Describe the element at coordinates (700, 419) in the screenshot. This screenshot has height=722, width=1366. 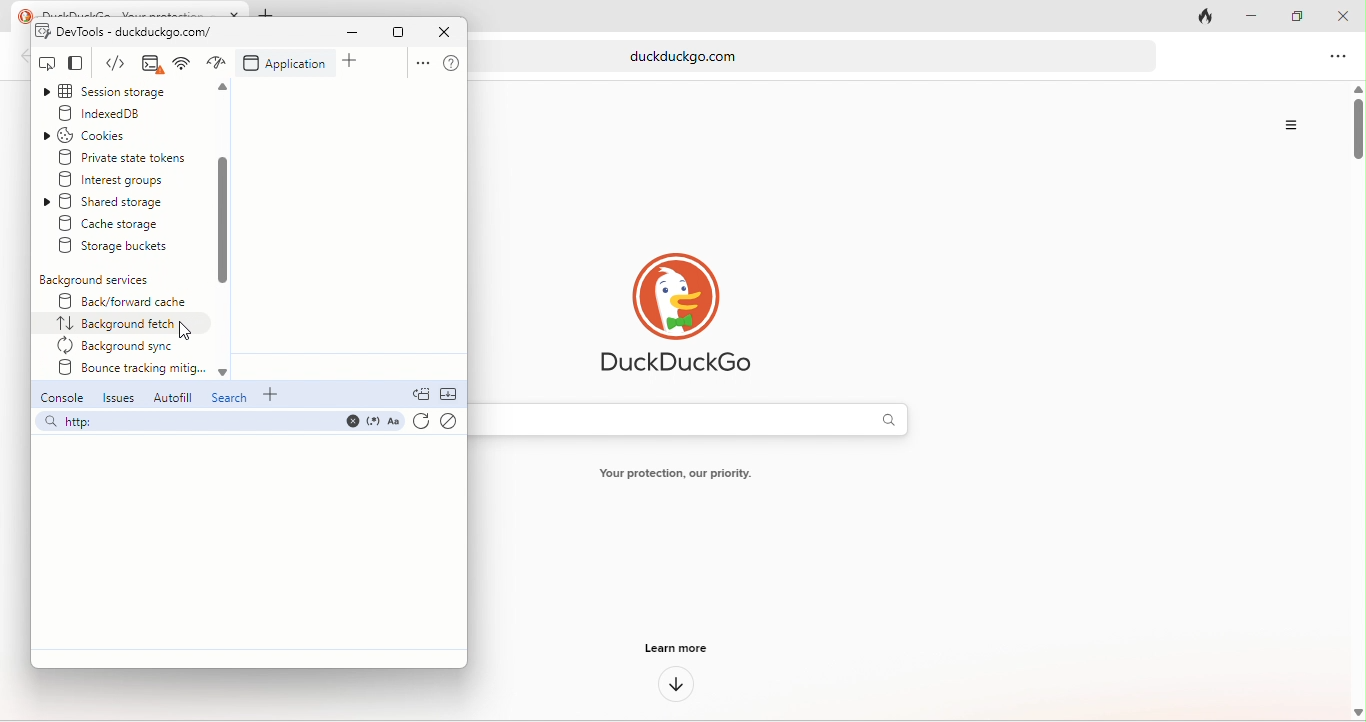
I see `search bar` at that location.